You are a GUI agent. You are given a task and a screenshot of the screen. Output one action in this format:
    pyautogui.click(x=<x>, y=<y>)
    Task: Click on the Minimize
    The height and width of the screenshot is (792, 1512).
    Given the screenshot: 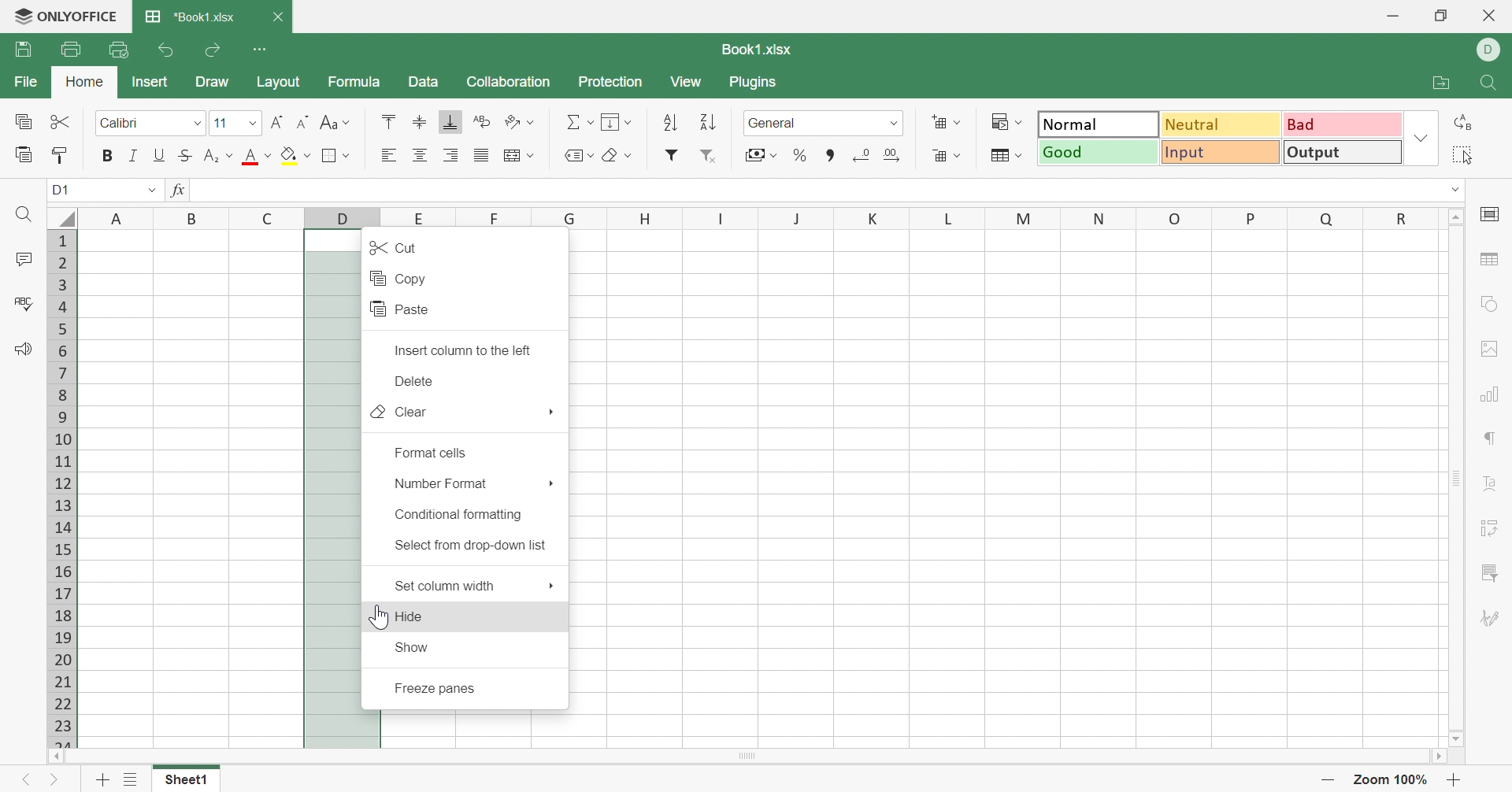 What is the action you would take?
    pyautogui.click(x=1389, y=14)
    